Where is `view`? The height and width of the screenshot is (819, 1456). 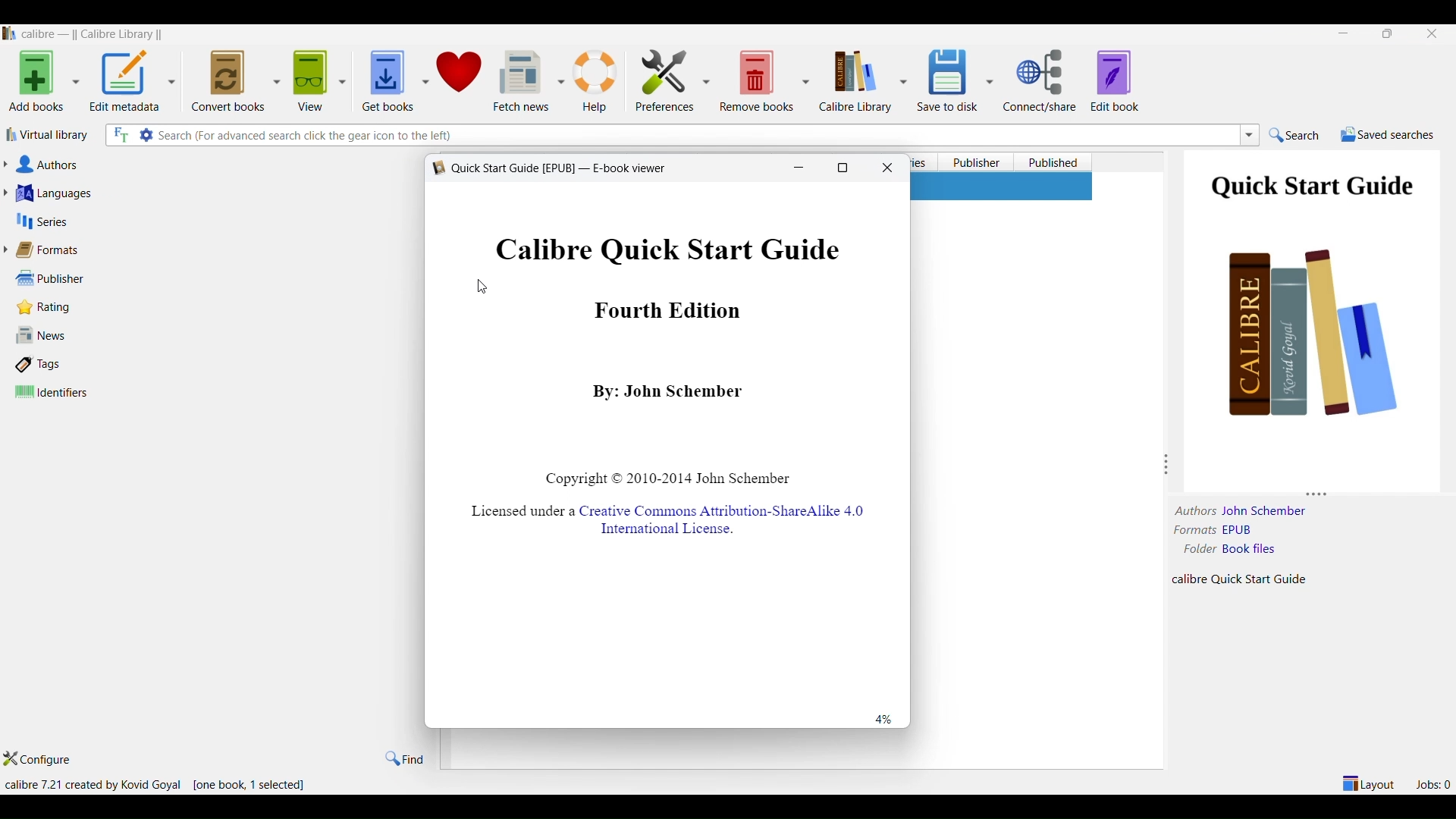 view is located at coordinates (309, 83).